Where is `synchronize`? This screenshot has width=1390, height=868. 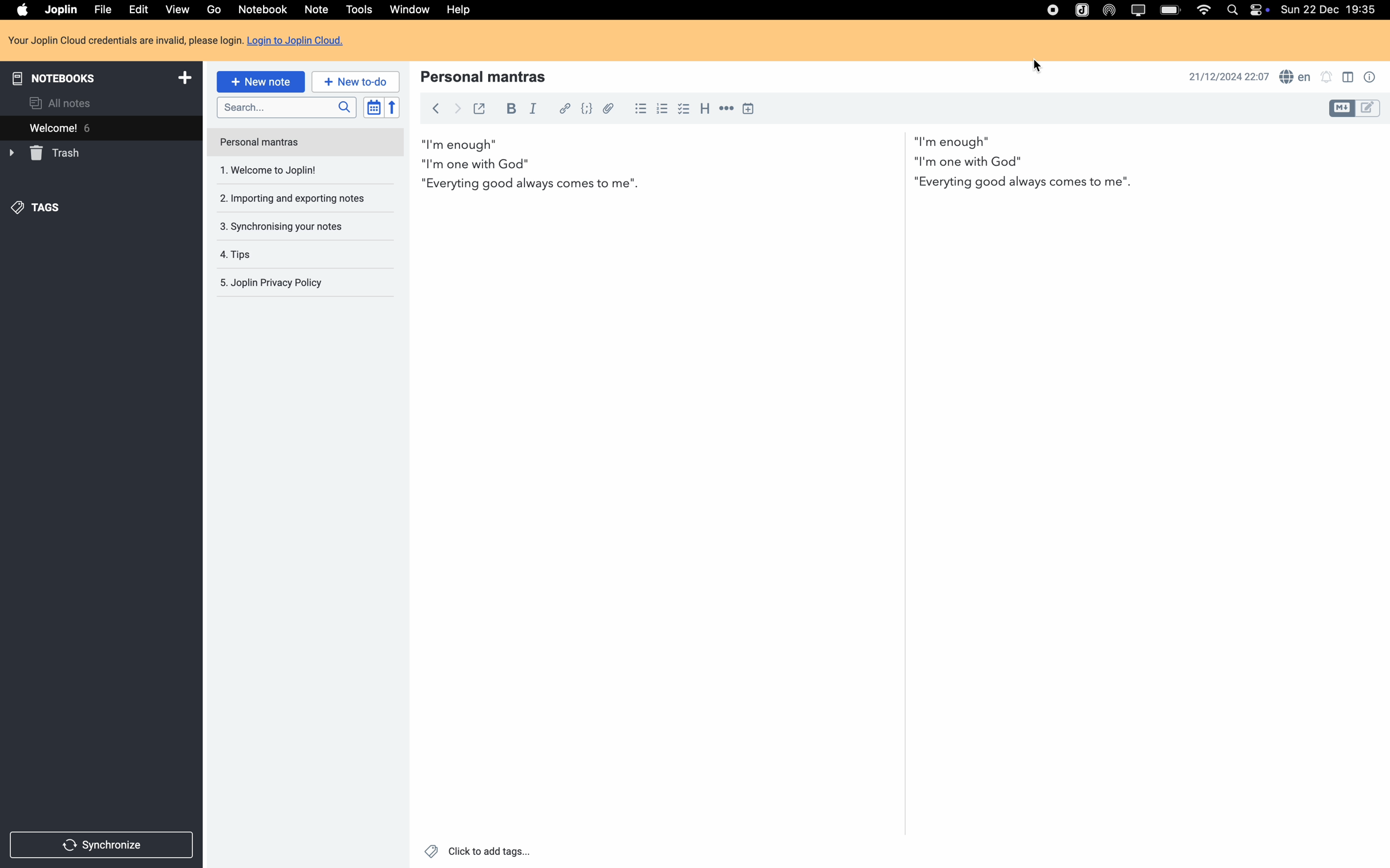
synchronize is located at coordinates (100, 847).